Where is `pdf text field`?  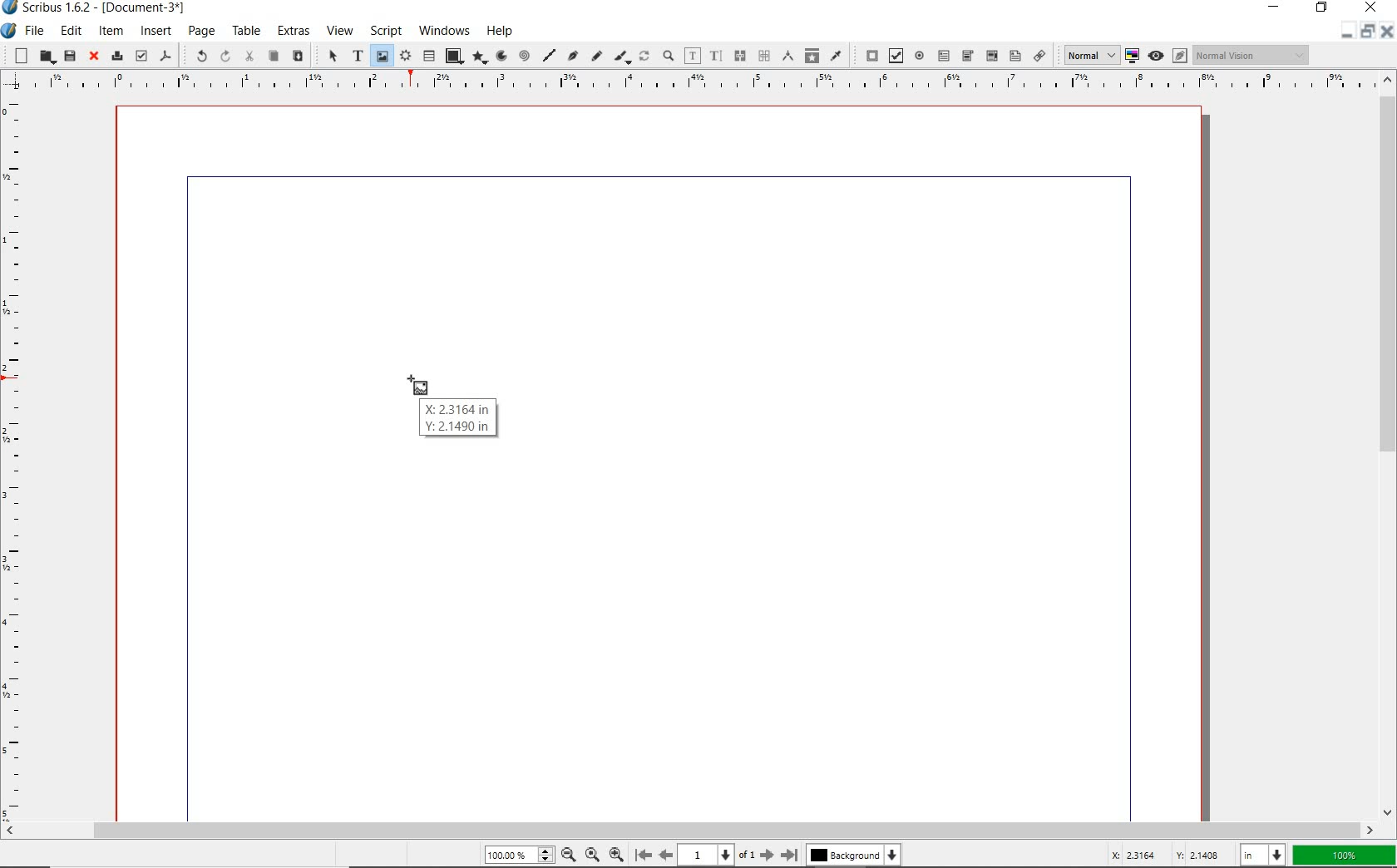 pdf text field is located at coordinates (945, 57).